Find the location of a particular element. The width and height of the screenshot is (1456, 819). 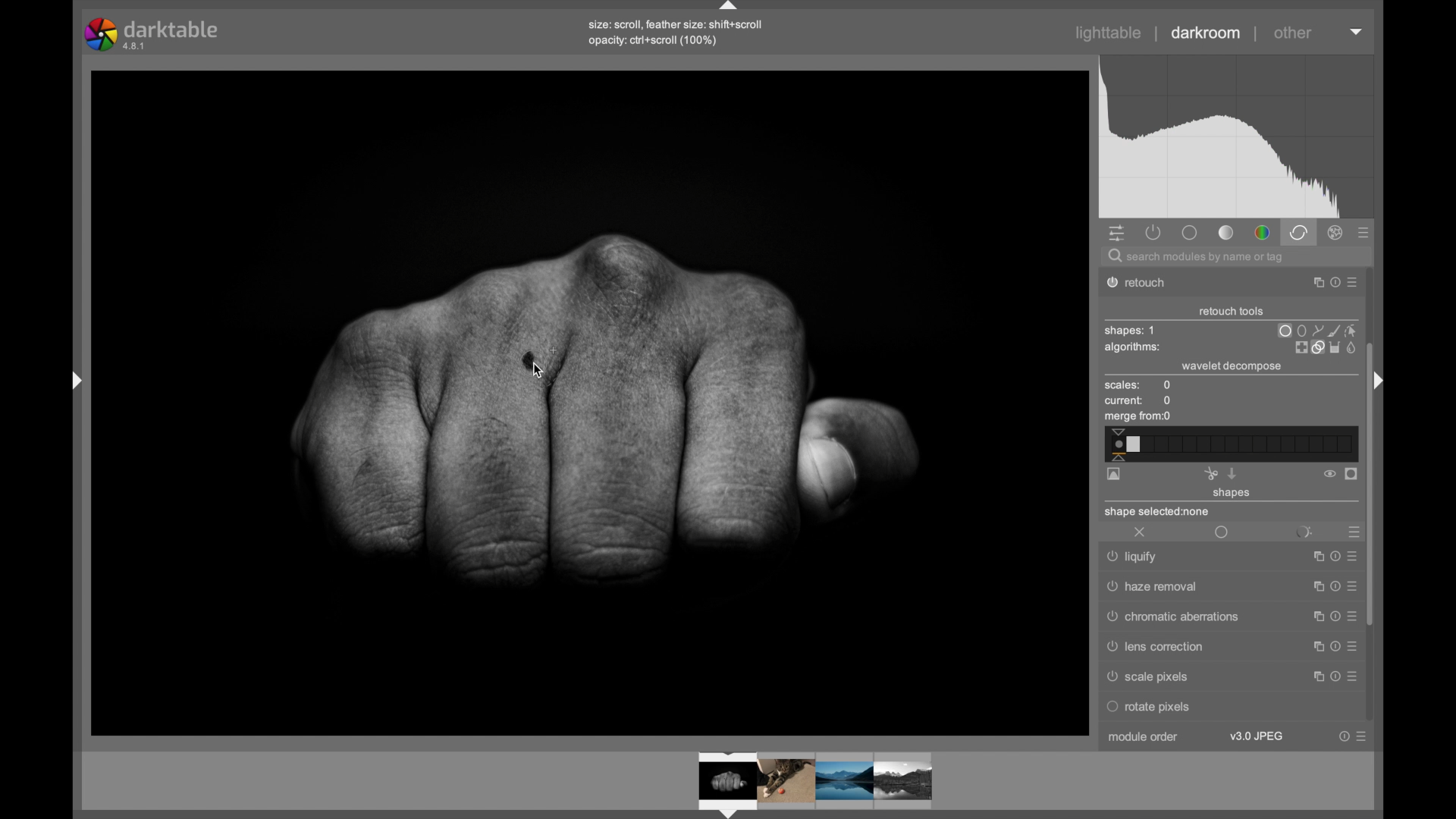

scale pixels is located at coordinates (1152, 677).